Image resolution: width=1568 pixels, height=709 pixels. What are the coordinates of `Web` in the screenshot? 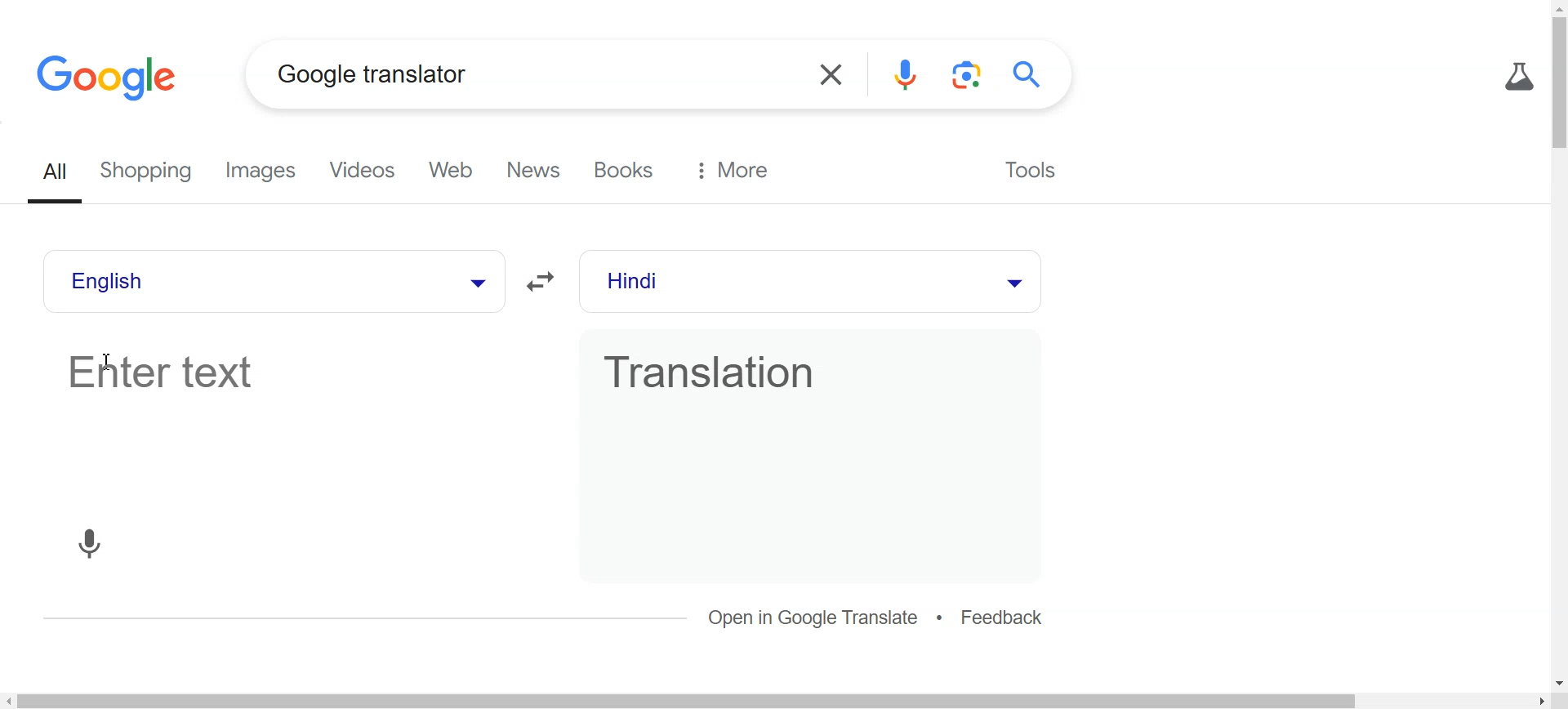 It's located at (457, 171).